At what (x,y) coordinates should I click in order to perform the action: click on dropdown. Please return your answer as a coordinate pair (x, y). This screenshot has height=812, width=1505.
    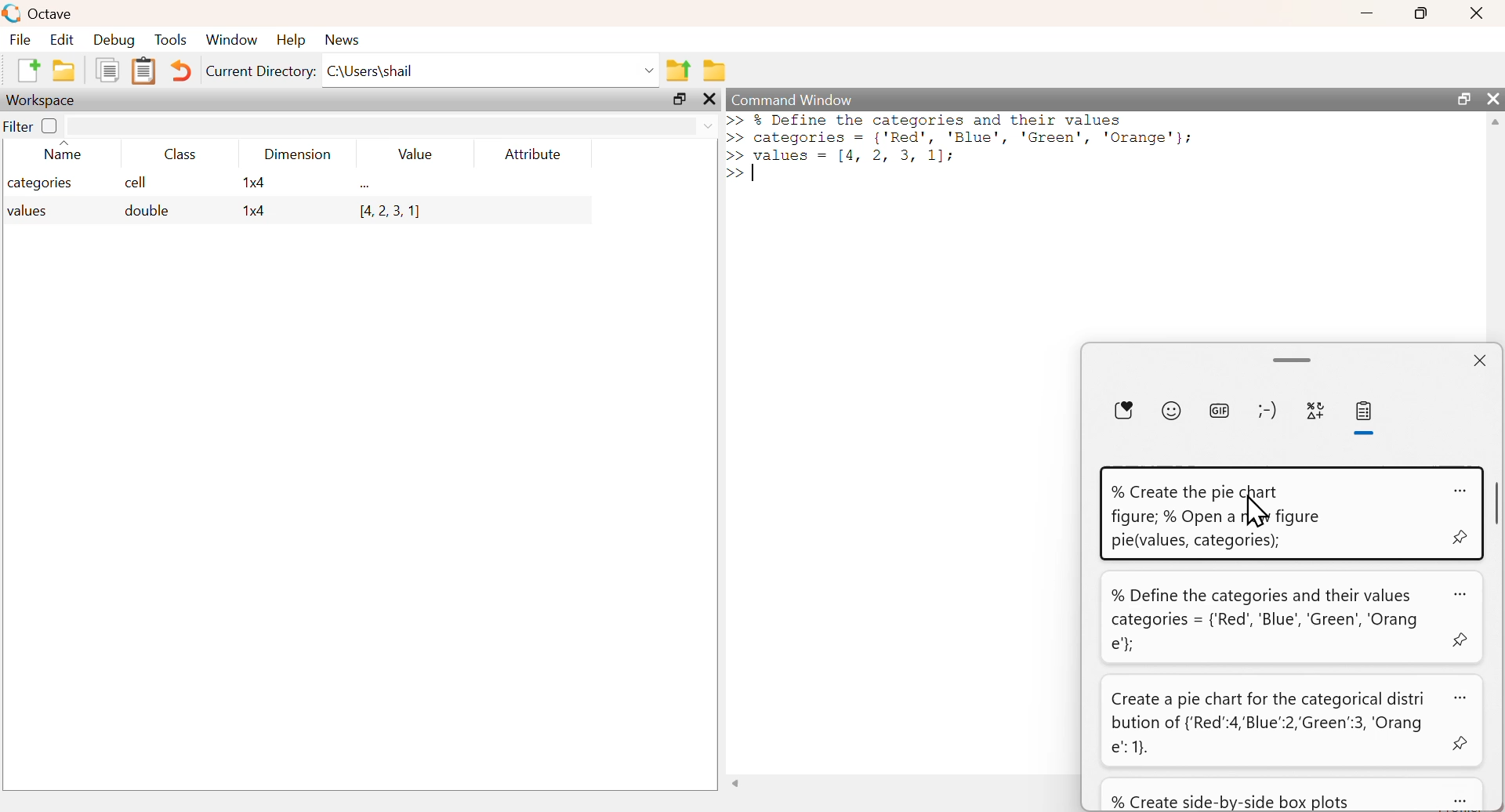
    Looking at the image, I should click on (708, 124).